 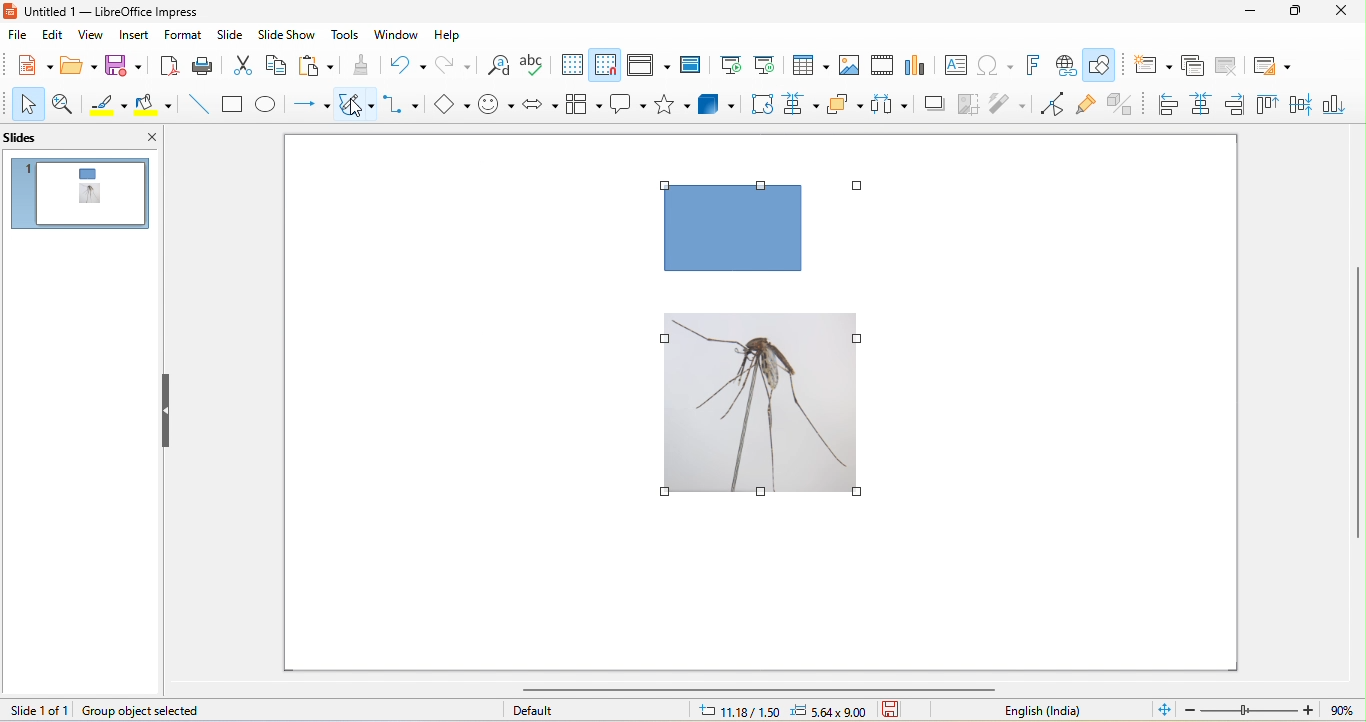 What do you see at coordinates (158, 105) in the screenshot?
I see `fill color` at bounding box center [158, 105].